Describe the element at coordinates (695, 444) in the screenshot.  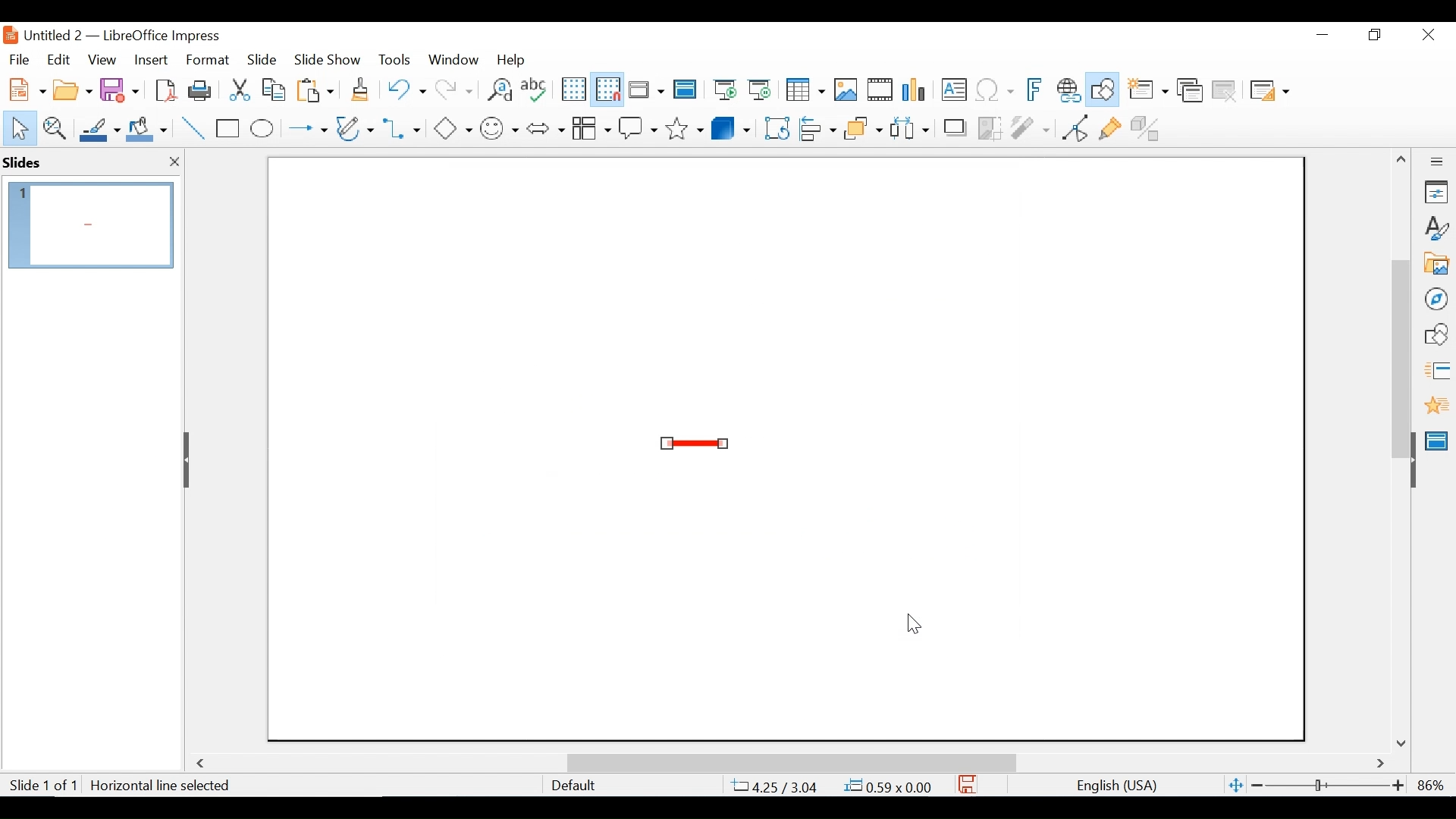
I see `Horizontal Line` at that location.